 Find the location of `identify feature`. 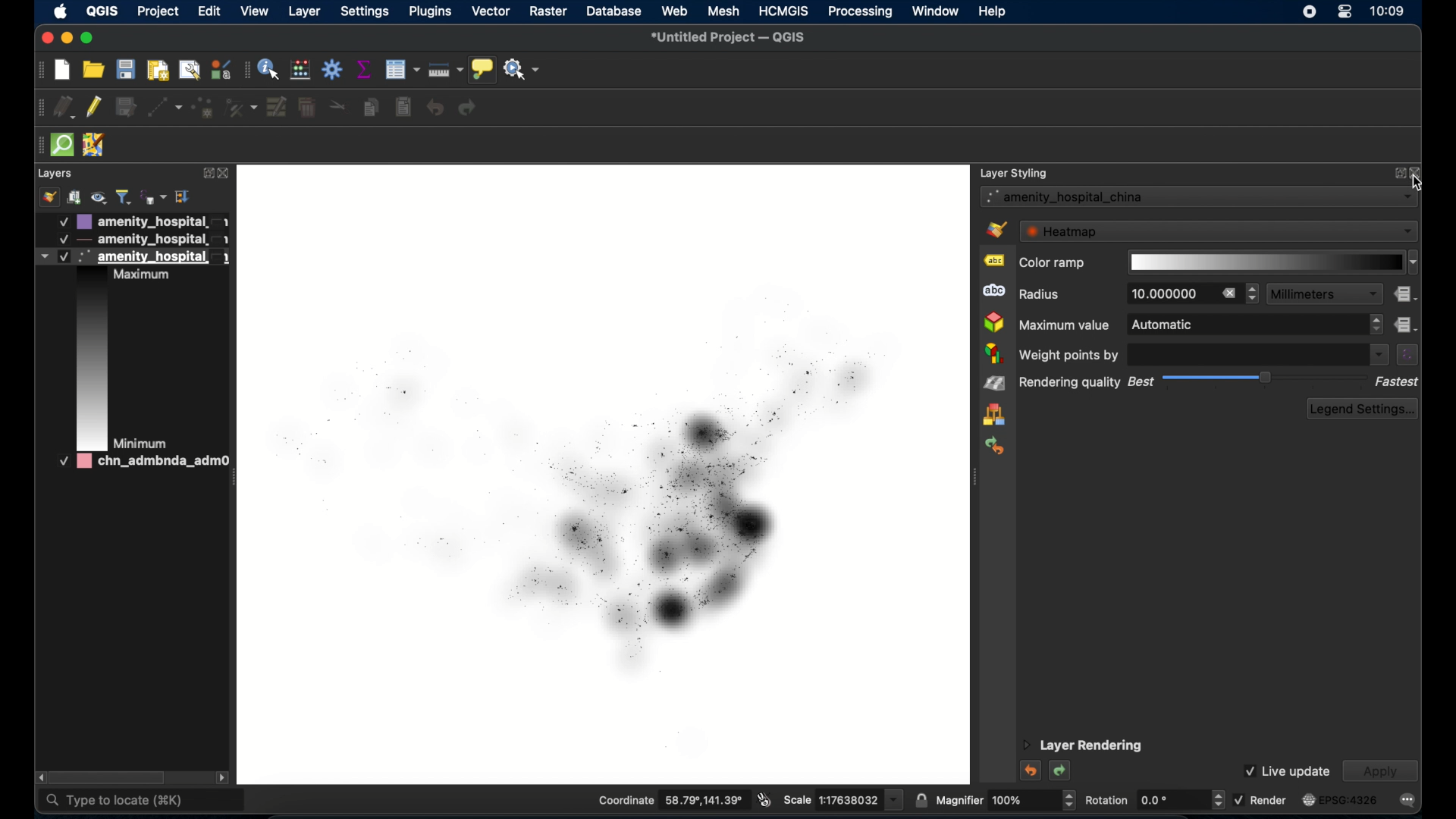

identify feature is located at coordinates (269, 69).